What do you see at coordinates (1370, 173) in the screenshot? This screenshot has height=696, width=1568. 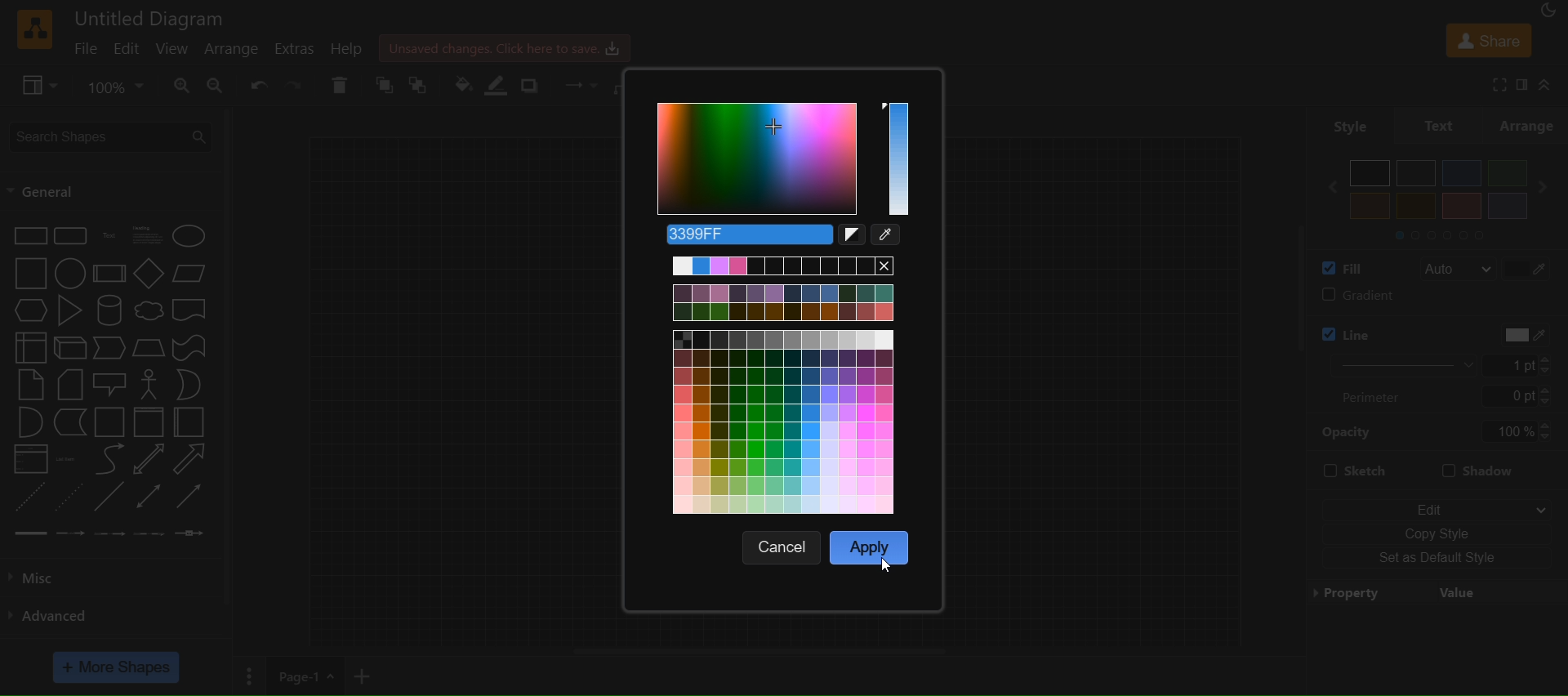 I see `black color` at bounding box center [1370, 173].